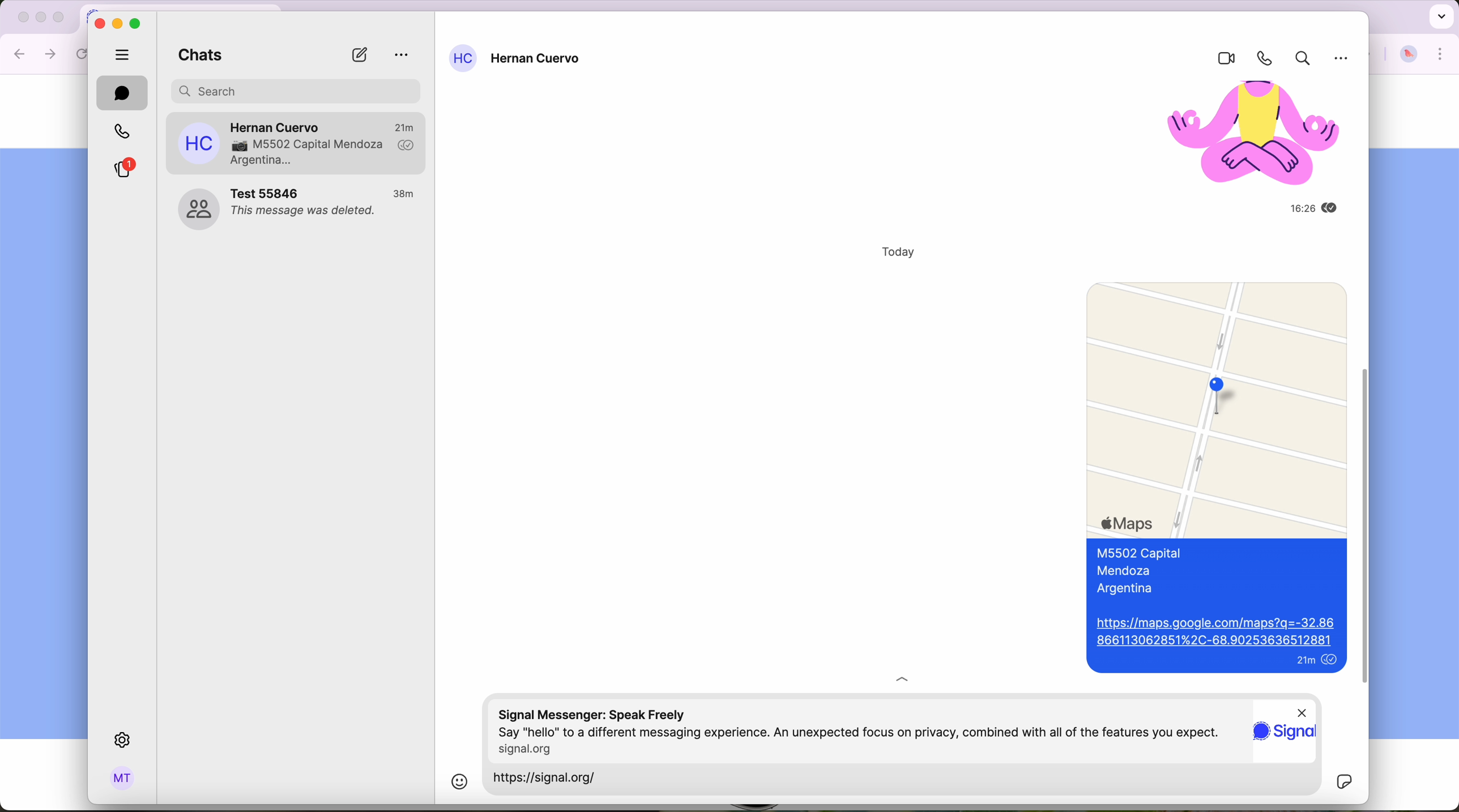 This screenshot has width=1459, height=812. What do you see at coordinates (1343, 61) in the screenshot?
I see `` at bounding box center [1343, 61].